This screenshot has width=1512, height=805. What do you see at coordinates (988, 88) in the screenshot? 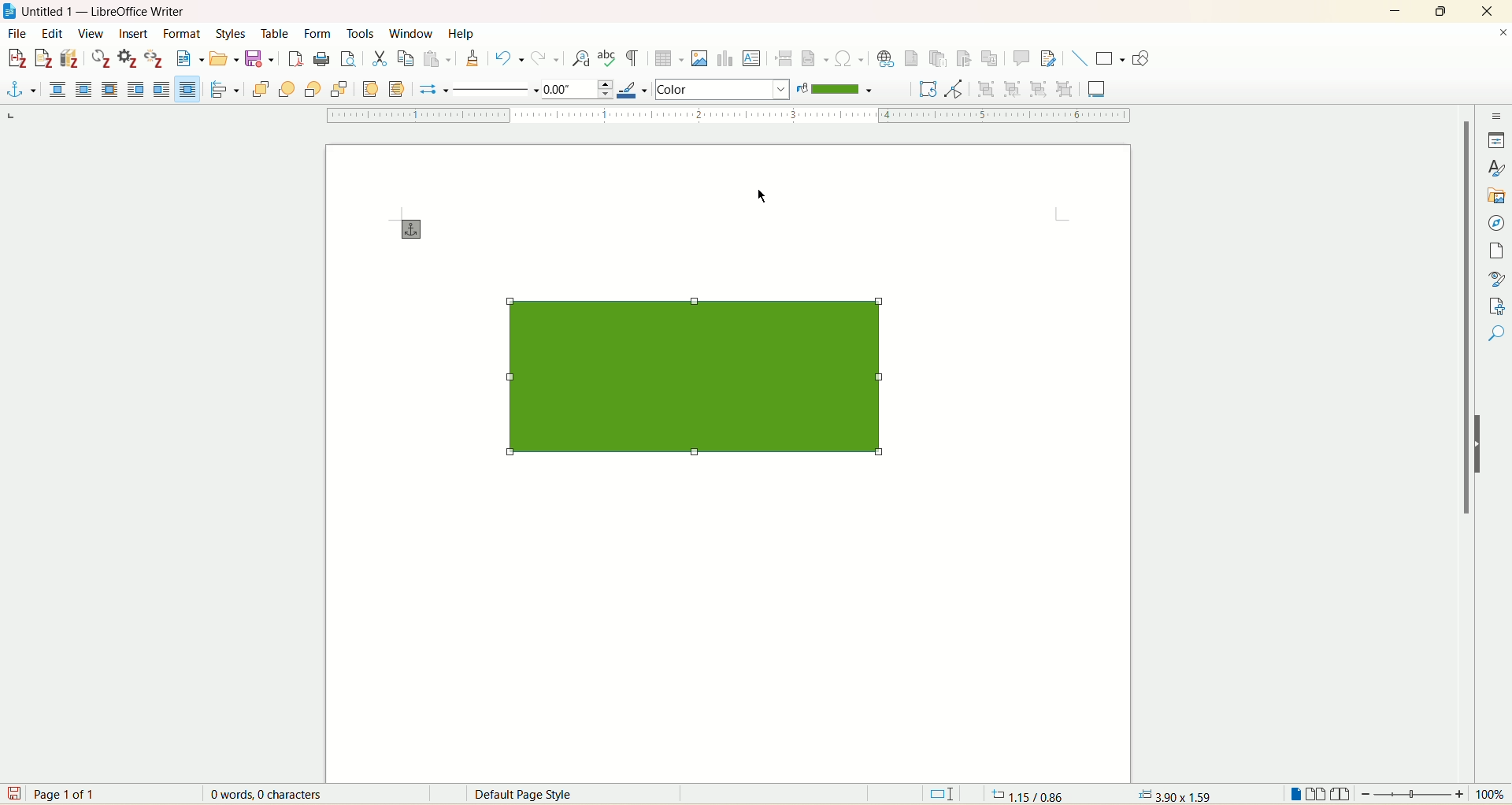
I see `group` at bounding box center [988, 88].